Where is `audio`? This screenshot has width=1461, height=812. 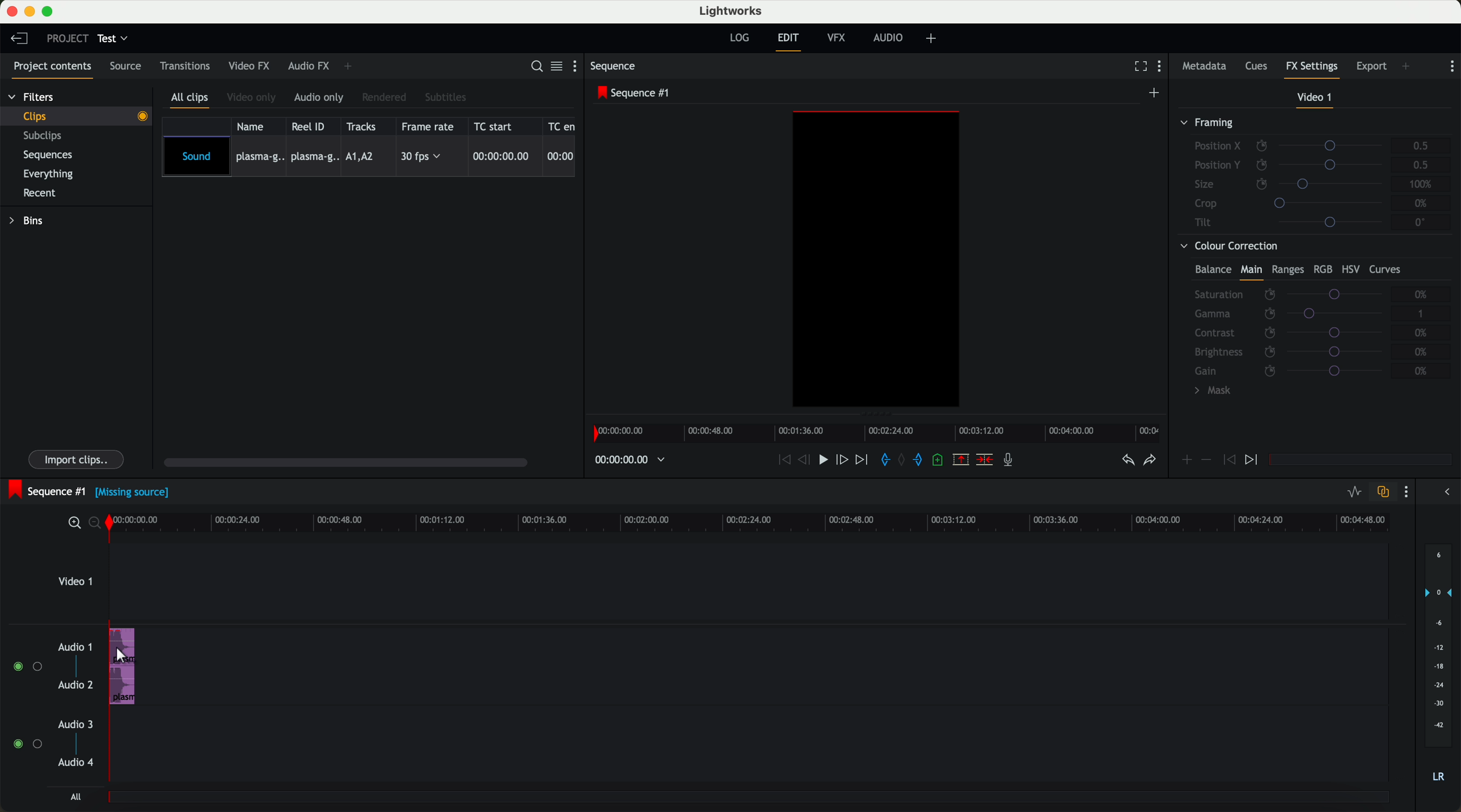 audio is located at coordinates (891, 39).